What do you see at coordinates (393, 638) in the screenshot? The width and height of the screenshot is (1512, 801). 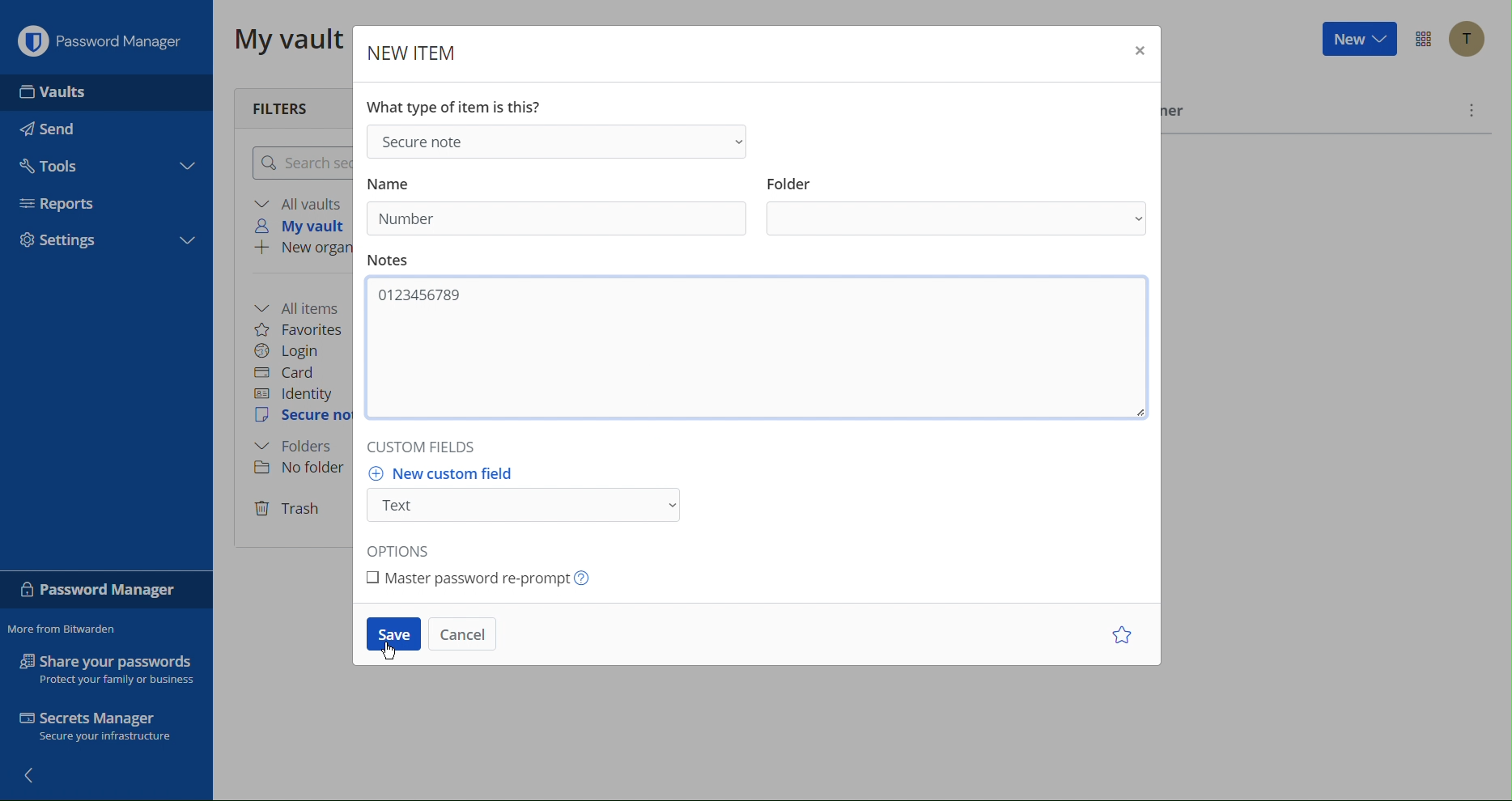 I see `Save` at bounding box center [393, 638].